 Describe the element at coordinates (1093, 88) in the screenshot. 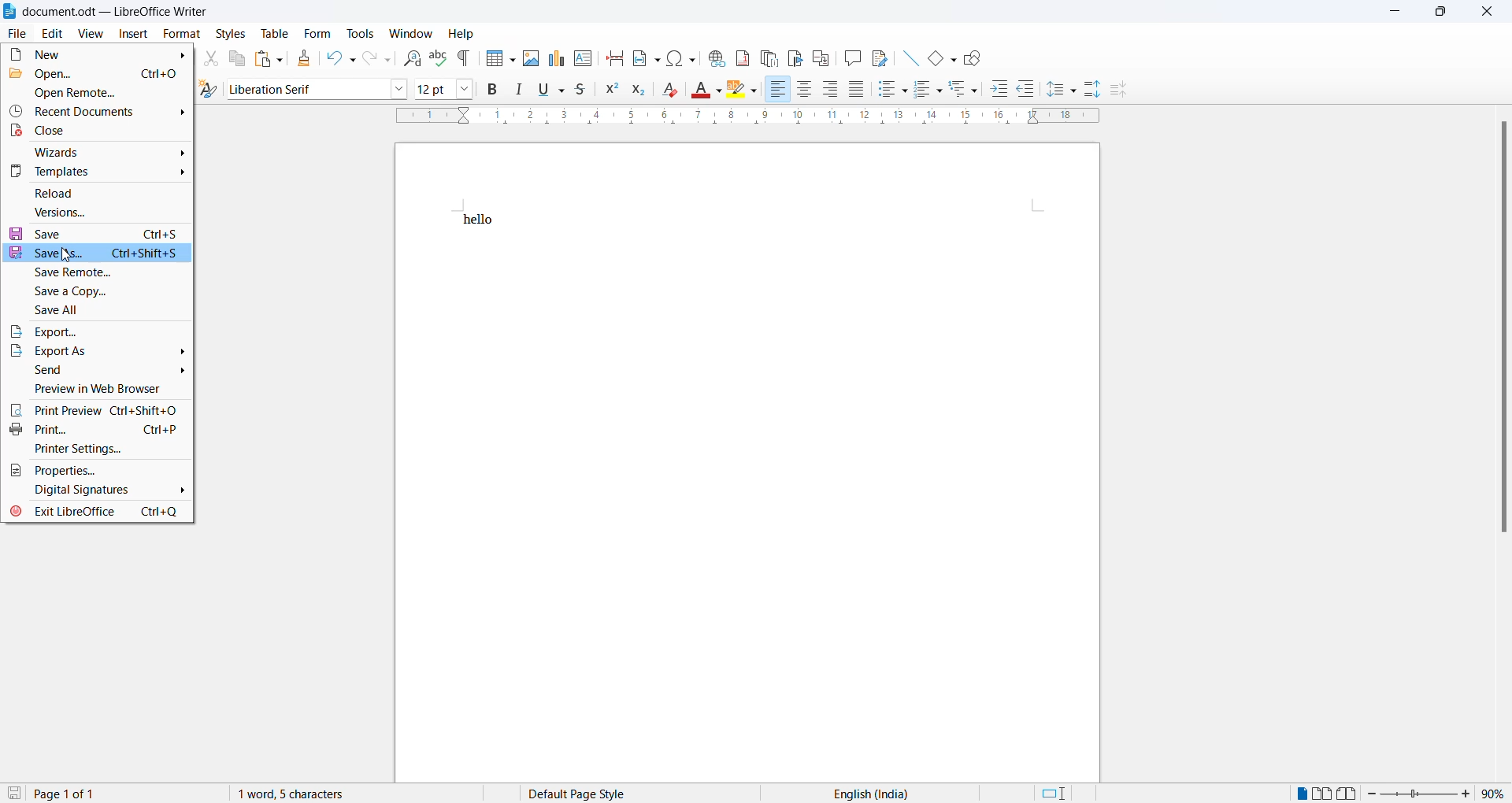

I see `Increase paragraph space` at that location.